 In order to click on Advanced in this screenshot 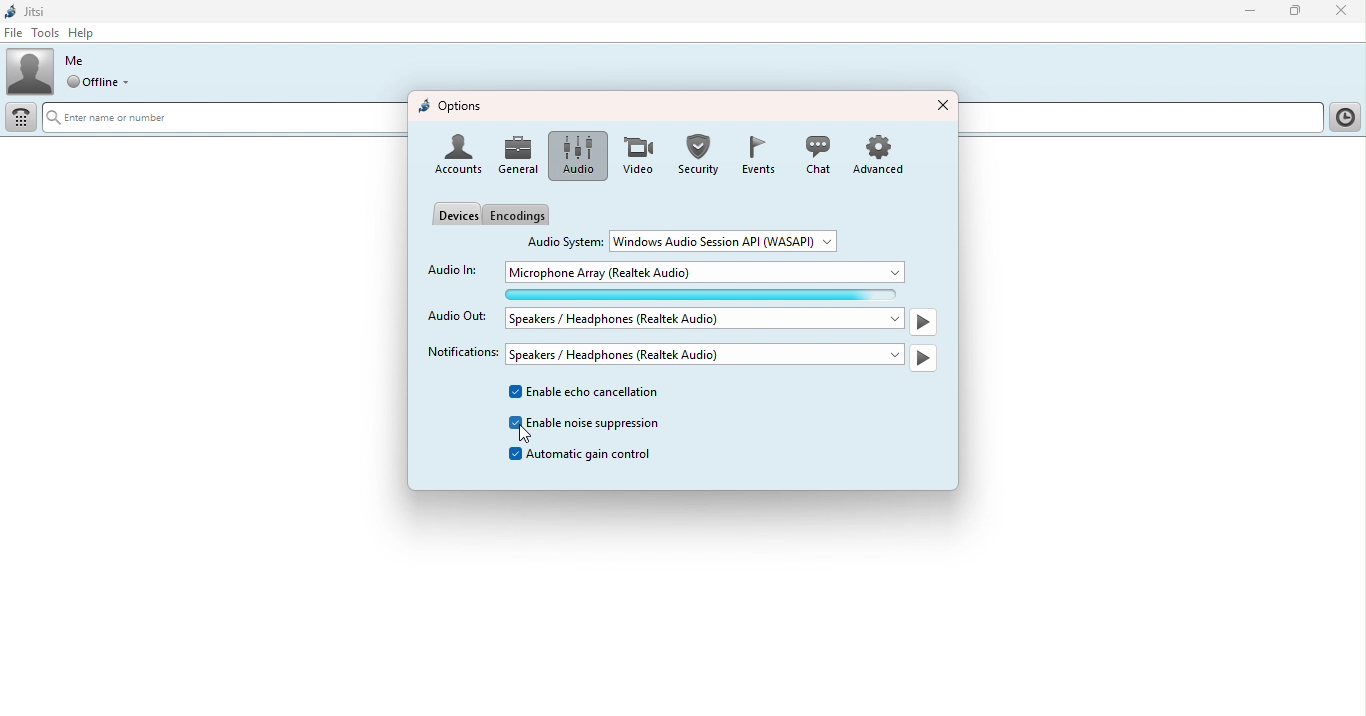, I will do `click(885, 153)`.